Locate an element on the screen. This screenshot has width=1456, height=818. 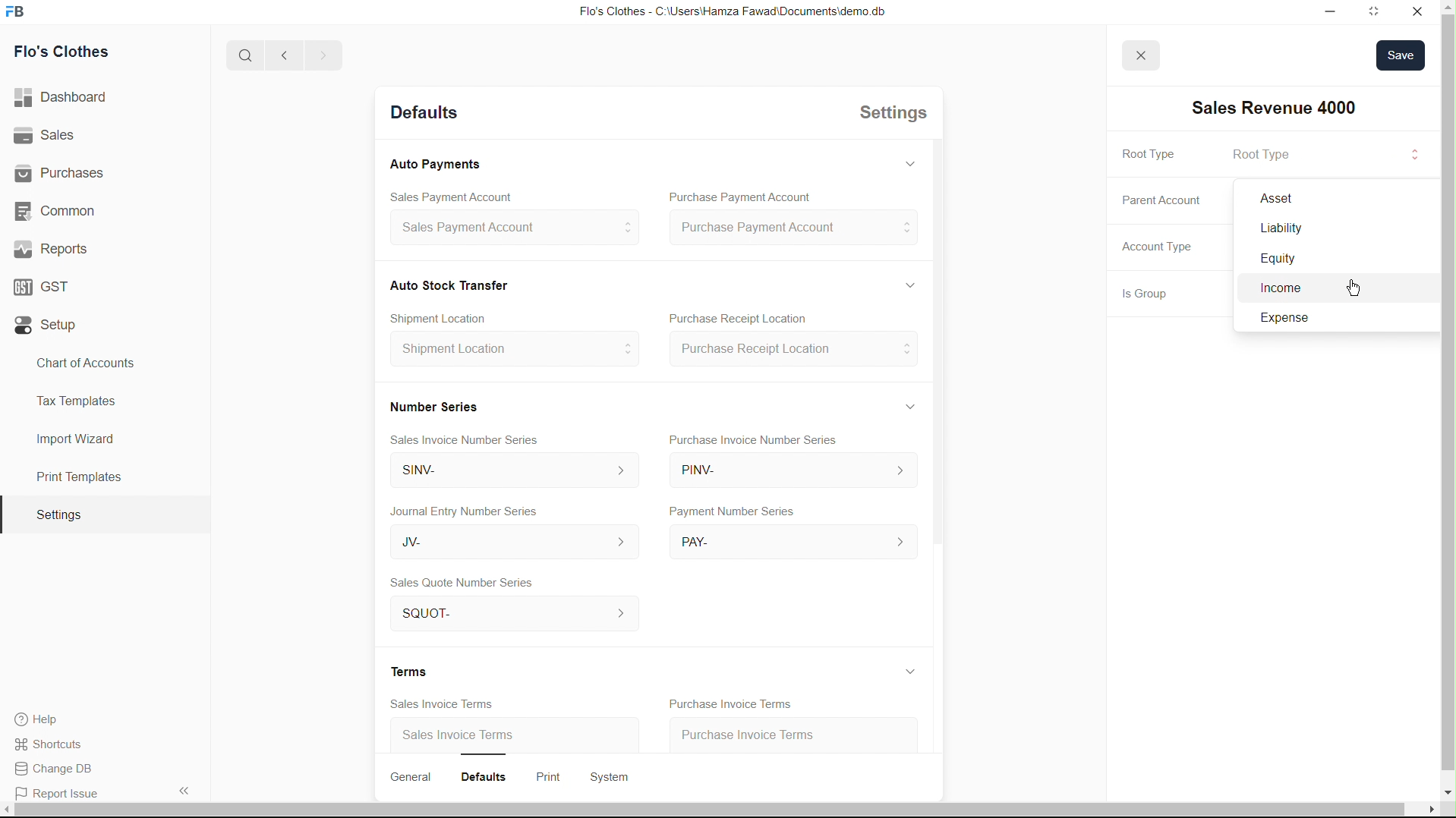
System is located at coordinates (622, 776).